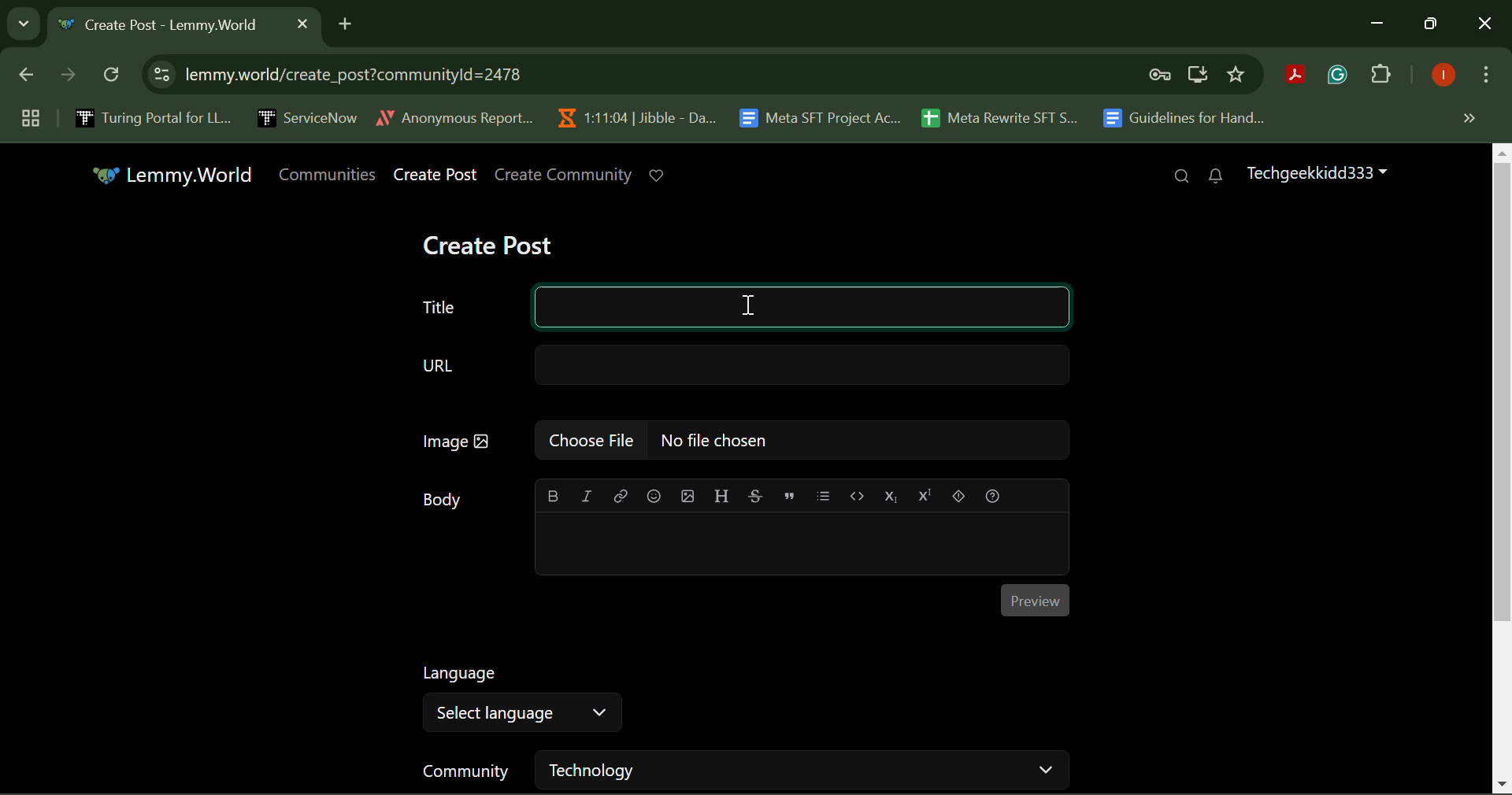 This screenshot has height=795, width=1512. What do you see at coordinates (1237, 75) in the screenshot?
I see `Bookmark` at bounding box center [1237, 75].